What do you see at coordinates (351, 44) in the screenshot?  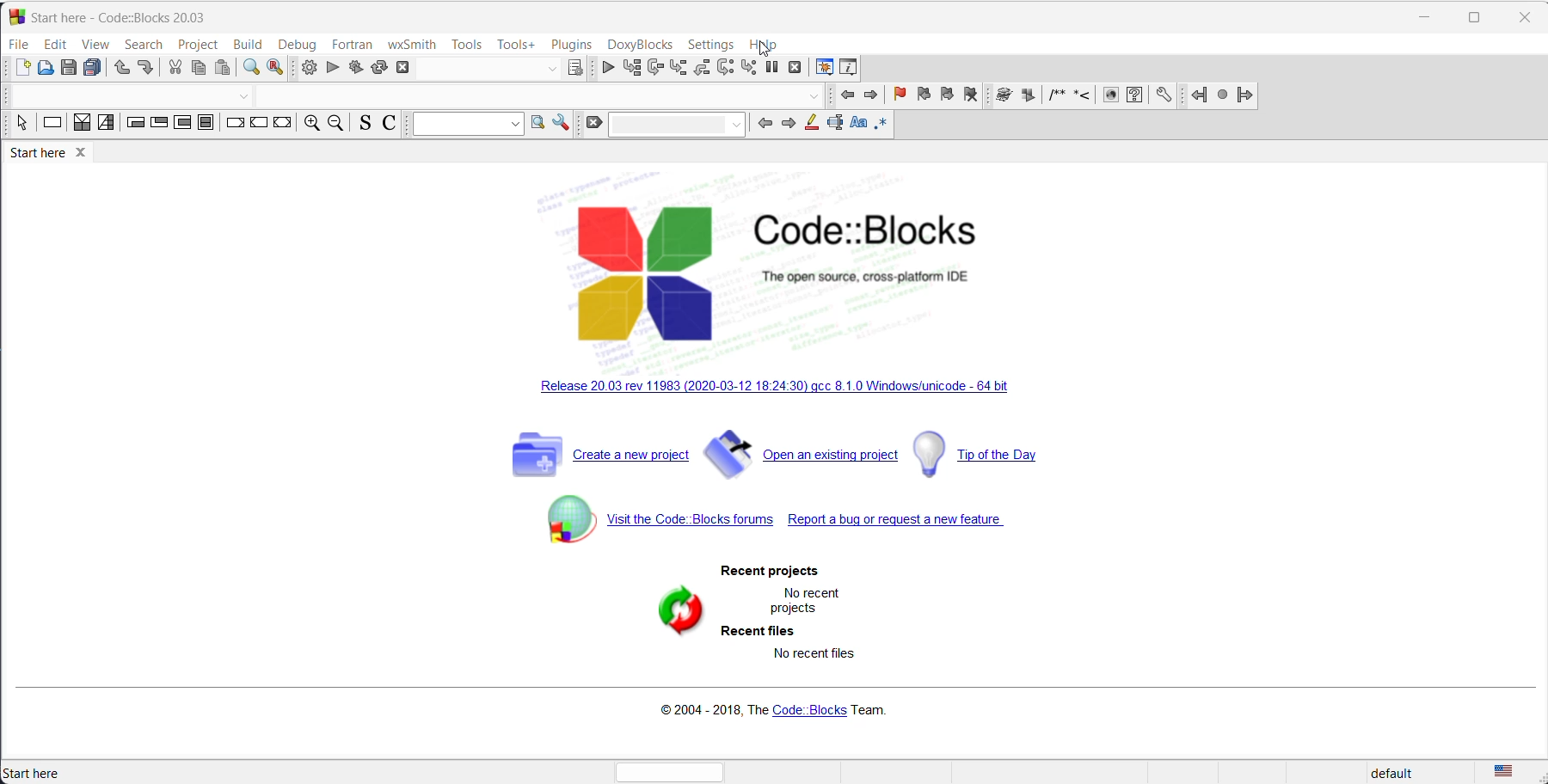 I see `fortran` at bounding box center [351, 44].